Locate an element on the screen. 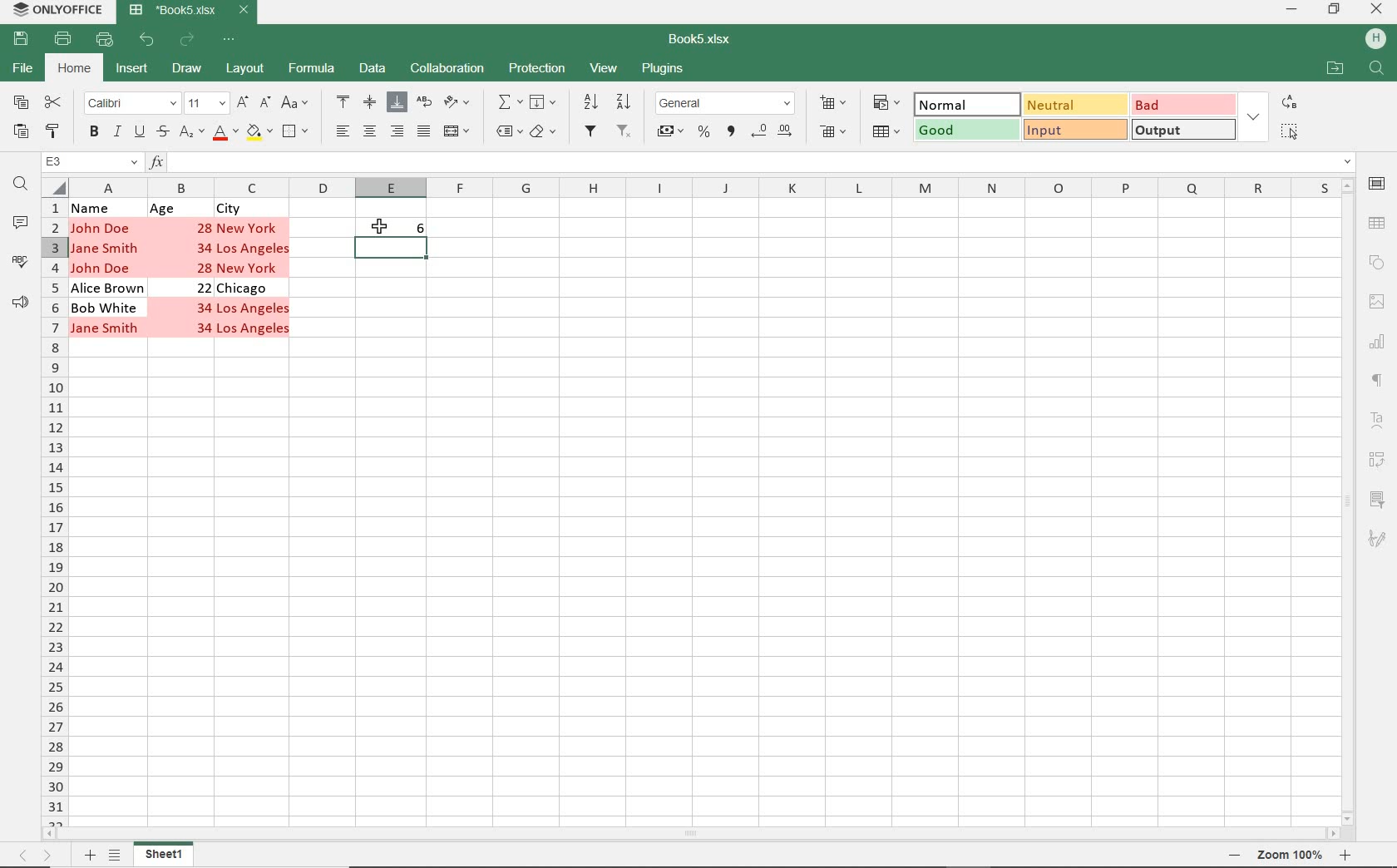 This screenshot has height=868, width=1397. SPELL CHECKING is located at coordinates (24, 260).